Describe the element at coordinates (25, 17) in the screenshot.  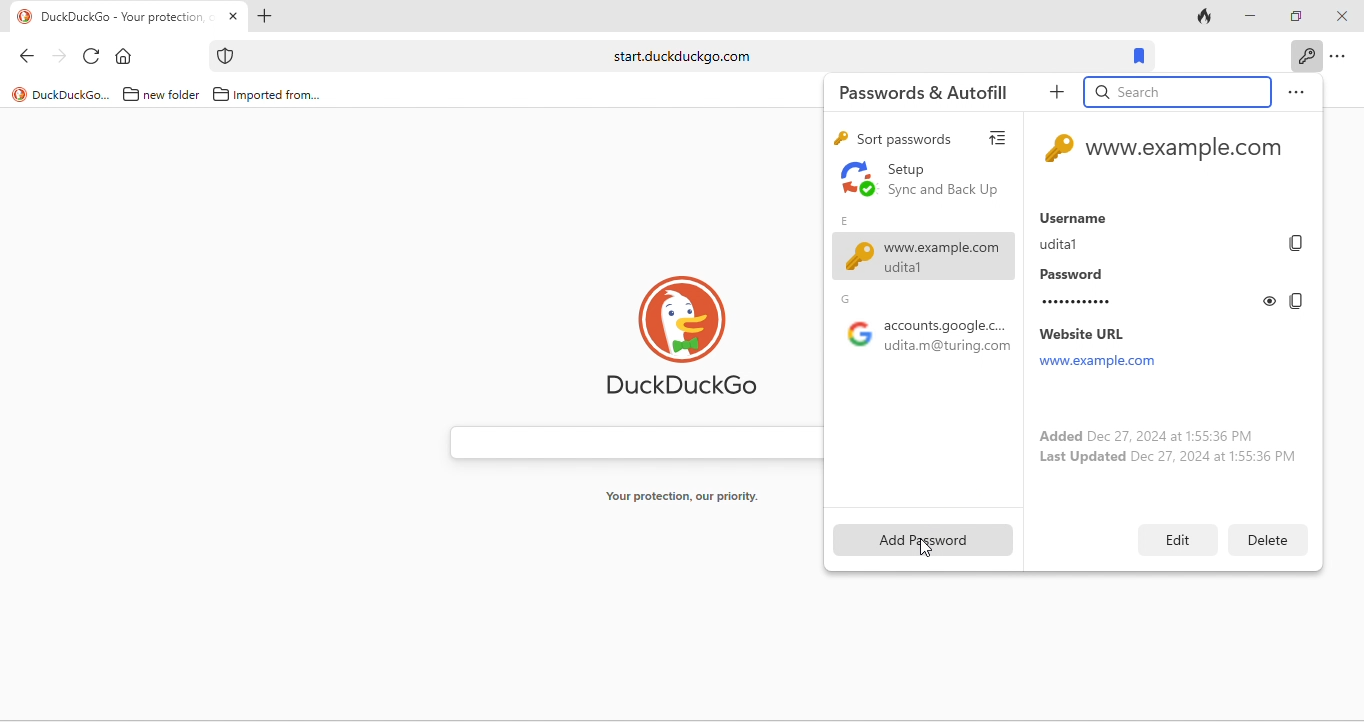
I see `logo` at that location.